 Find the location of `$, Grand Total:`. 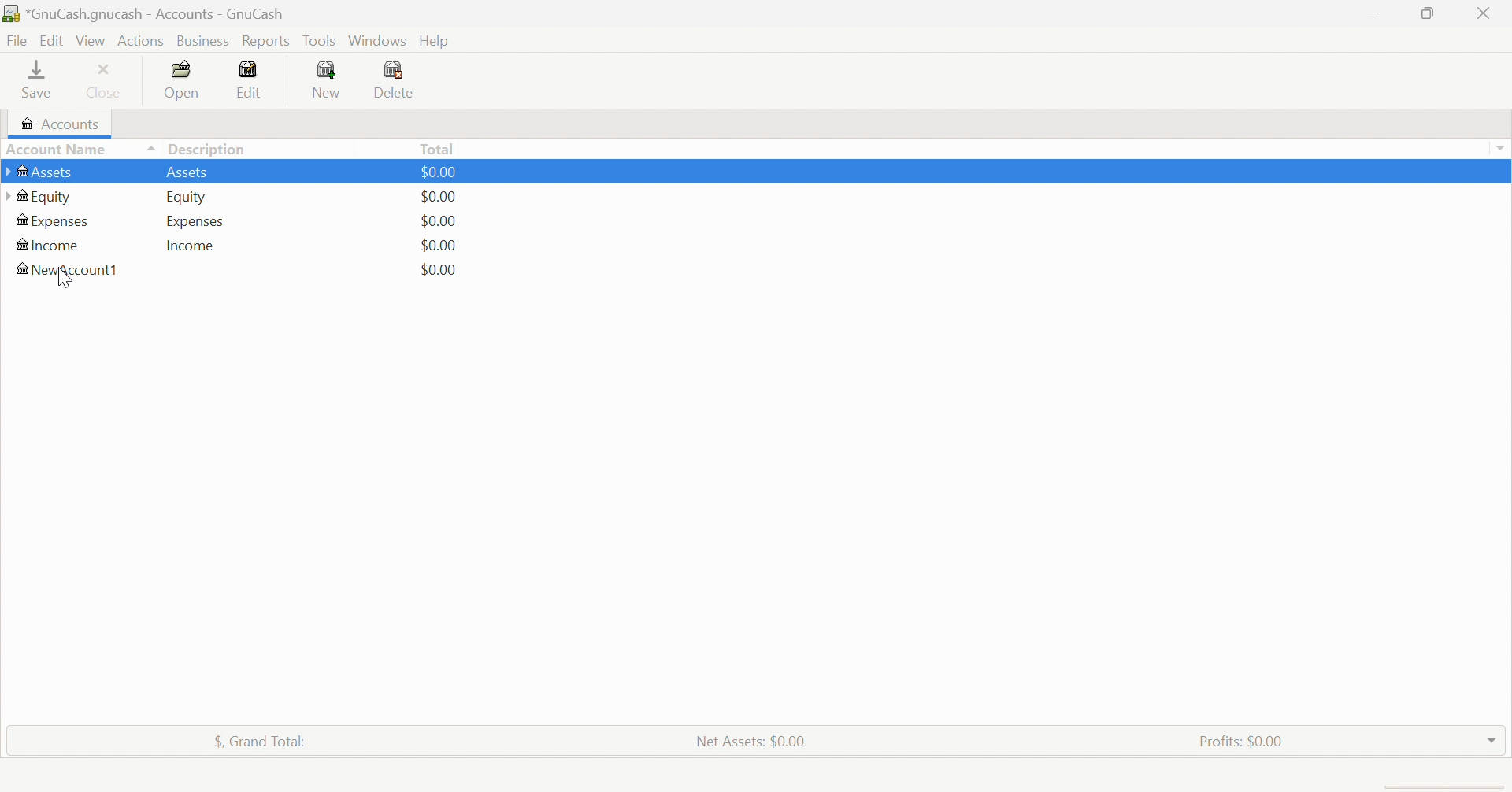

$, Grand Total: is located at coordinates (264, 741).